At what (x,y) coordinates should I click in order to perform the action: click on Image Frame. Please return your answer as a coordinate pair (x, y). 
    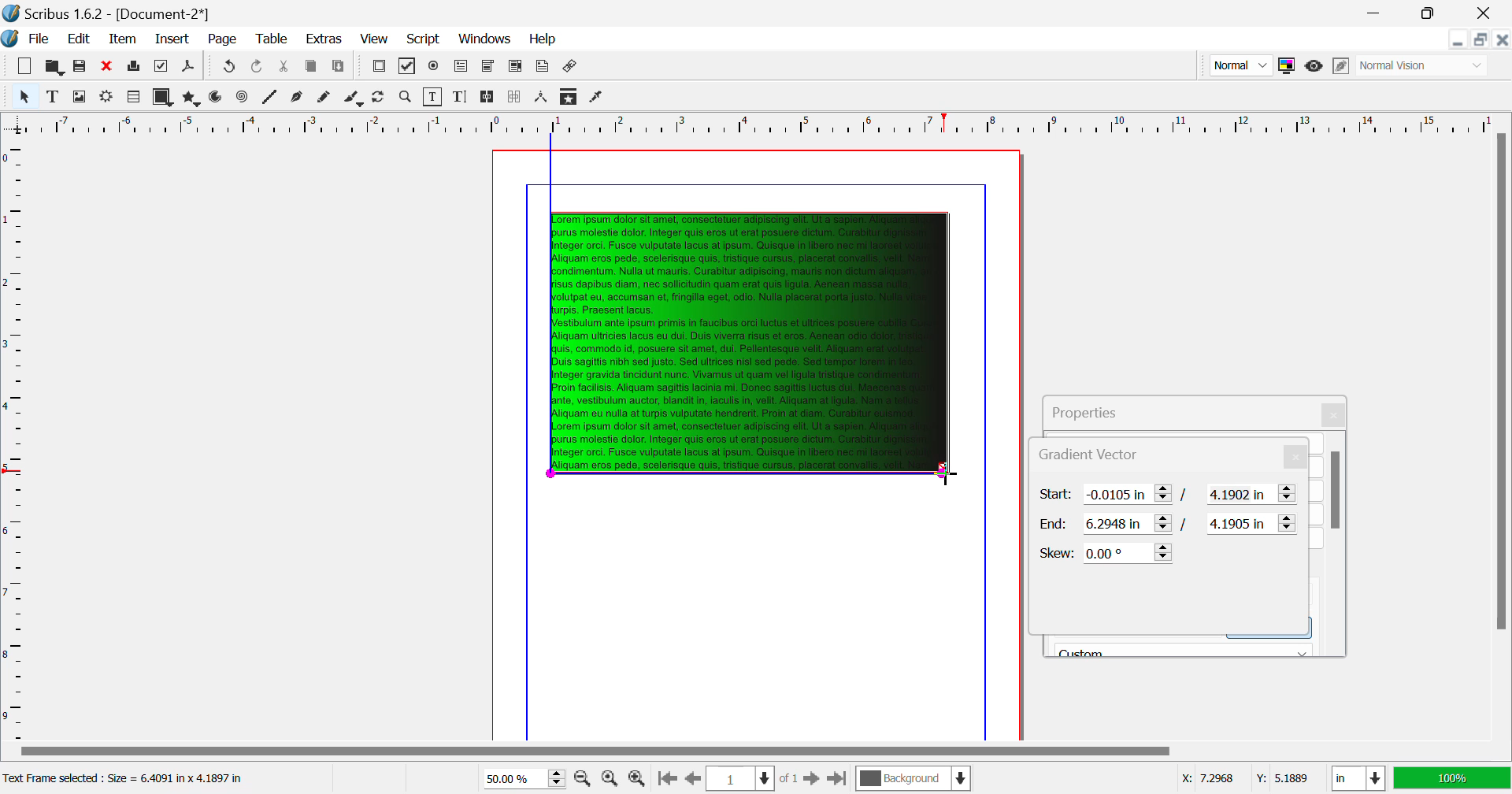
    Looking at the image, I should click on (79, 96).